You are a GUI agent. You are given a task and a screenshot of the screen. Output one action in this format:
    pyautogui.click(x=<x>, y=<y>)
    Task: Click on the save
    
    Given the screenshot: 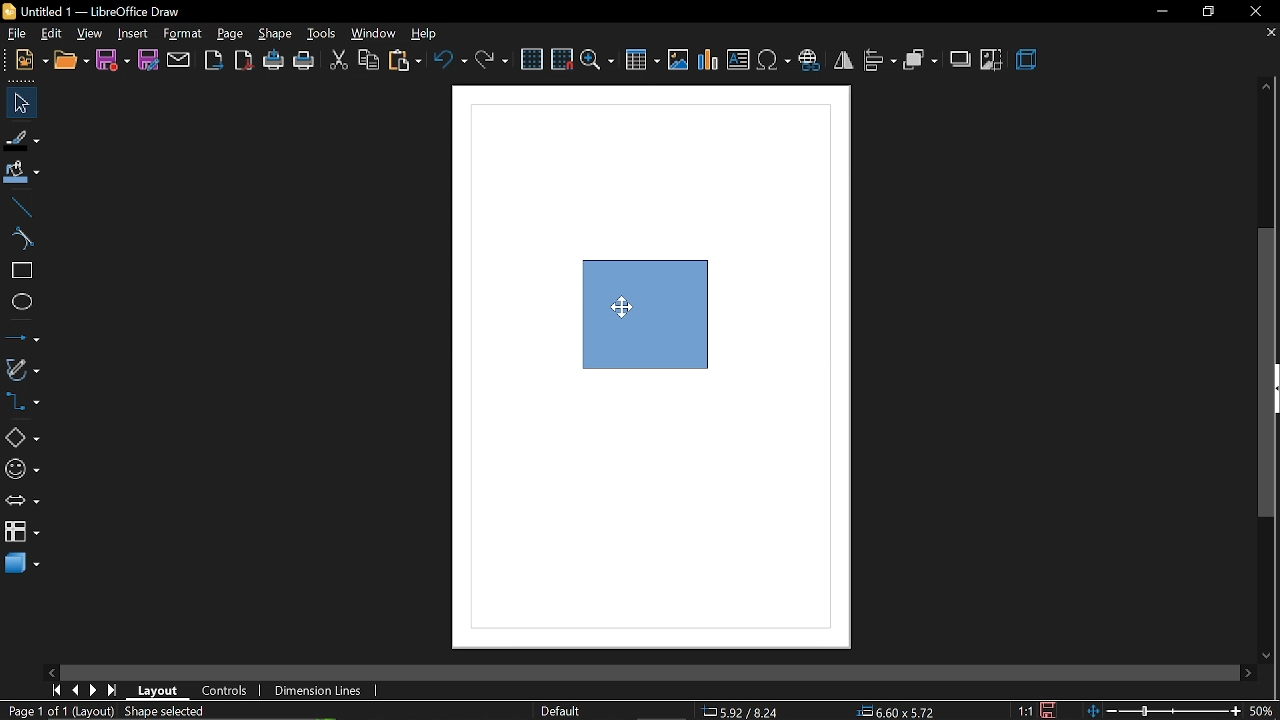 What is the action you would take?
    pyautogui.click(x=1046, y=710)
    